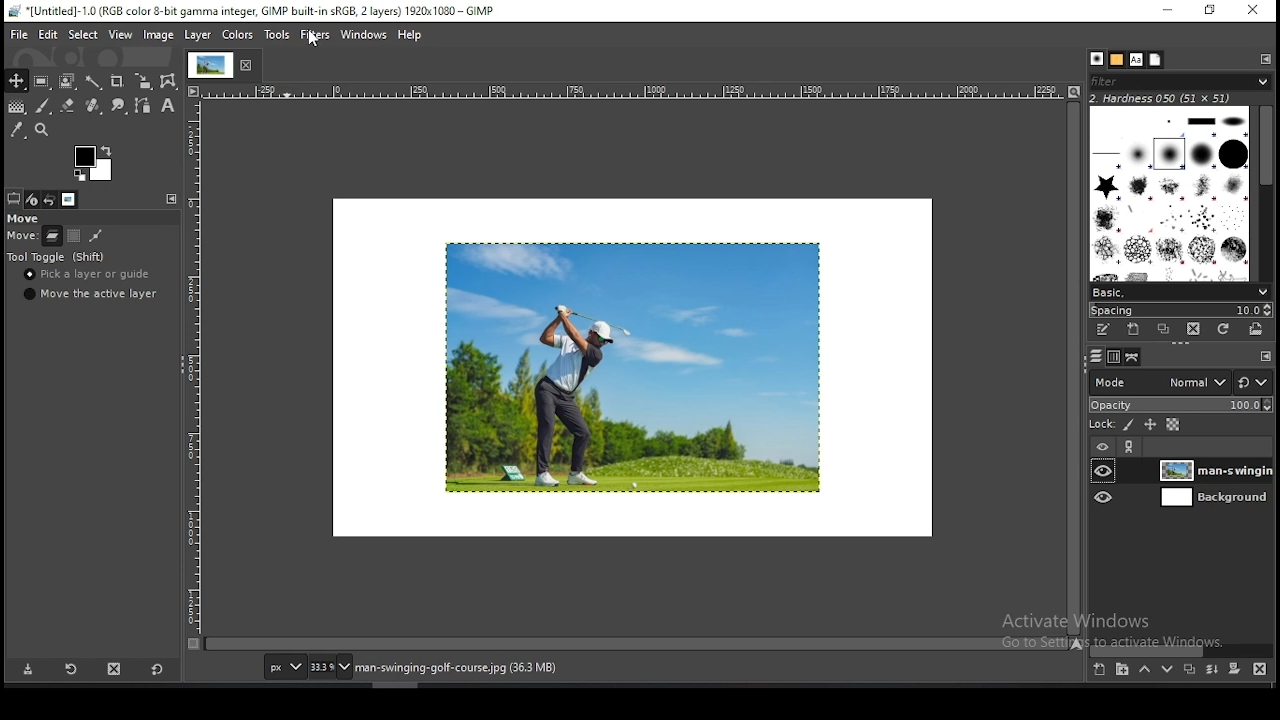 The image size is (1280, 720). I want to click on layer visibility on/off, so click(1103, 472).